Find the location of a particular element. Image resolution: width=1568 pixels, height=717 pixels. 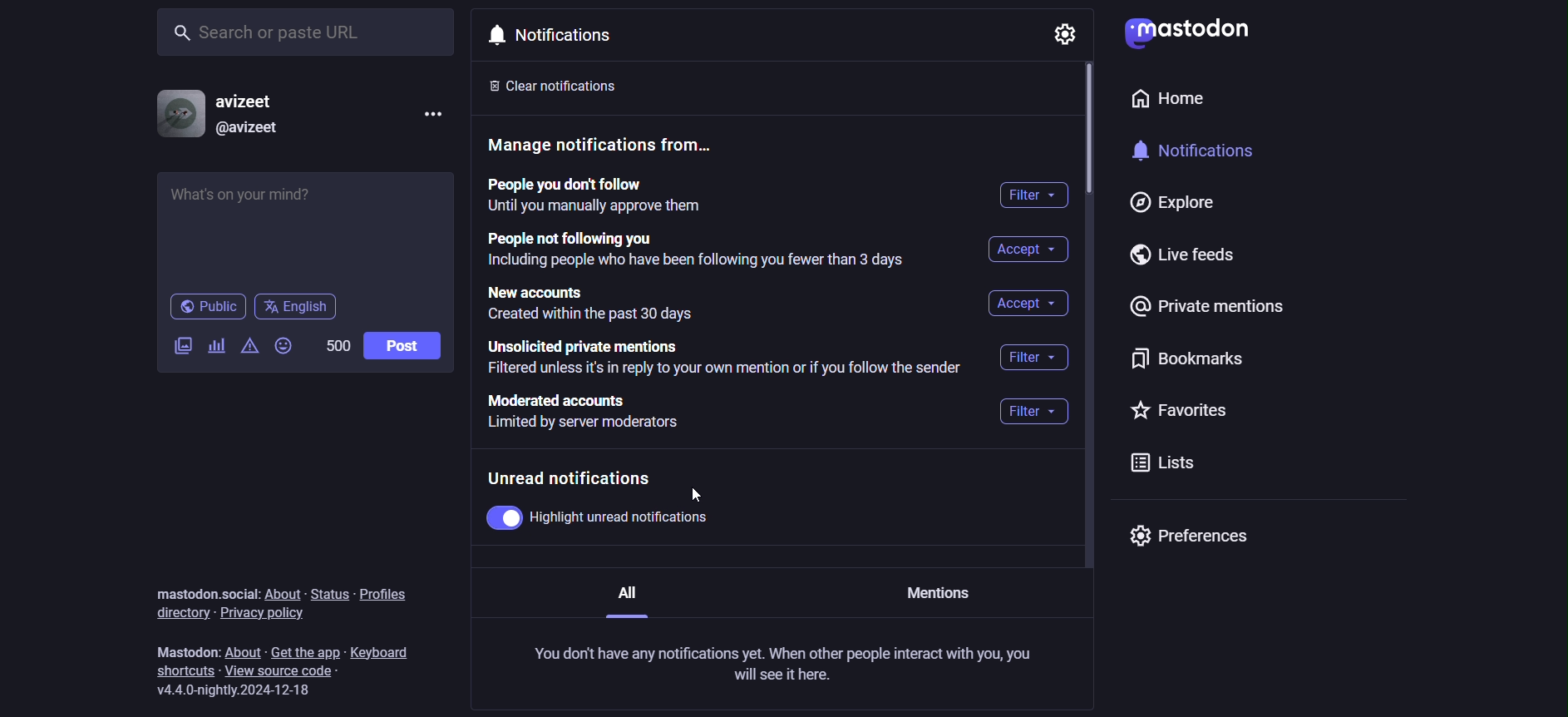

status is located at coordinates (328, 593).